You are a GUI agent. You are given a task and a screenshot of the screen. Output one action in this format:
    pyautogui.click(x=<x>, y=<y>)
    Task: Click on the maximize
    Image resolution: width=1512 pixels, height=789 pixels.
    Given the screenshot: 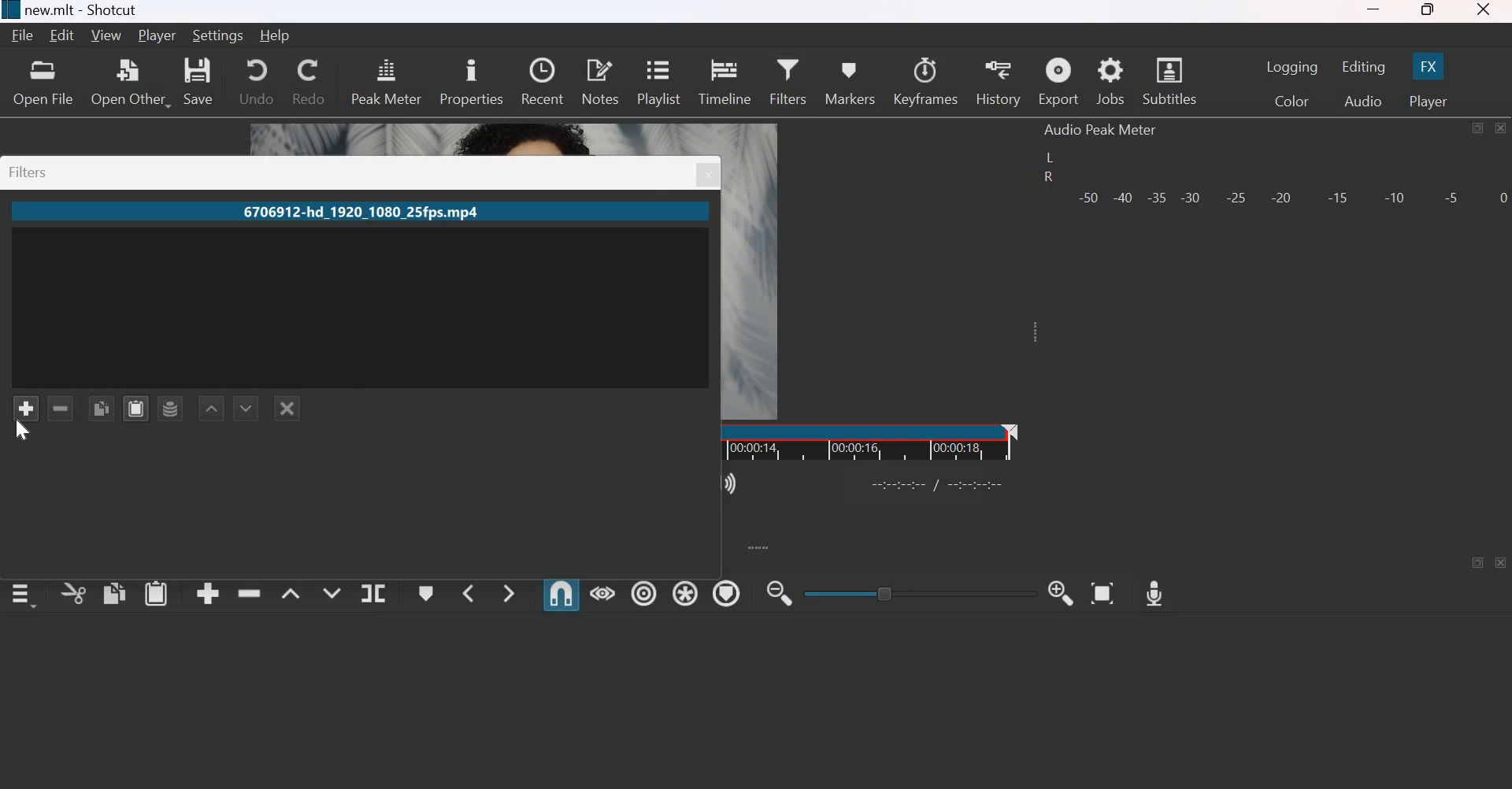 What is the action you would take?
    pyautogui.click(x=1477, y=128)
    